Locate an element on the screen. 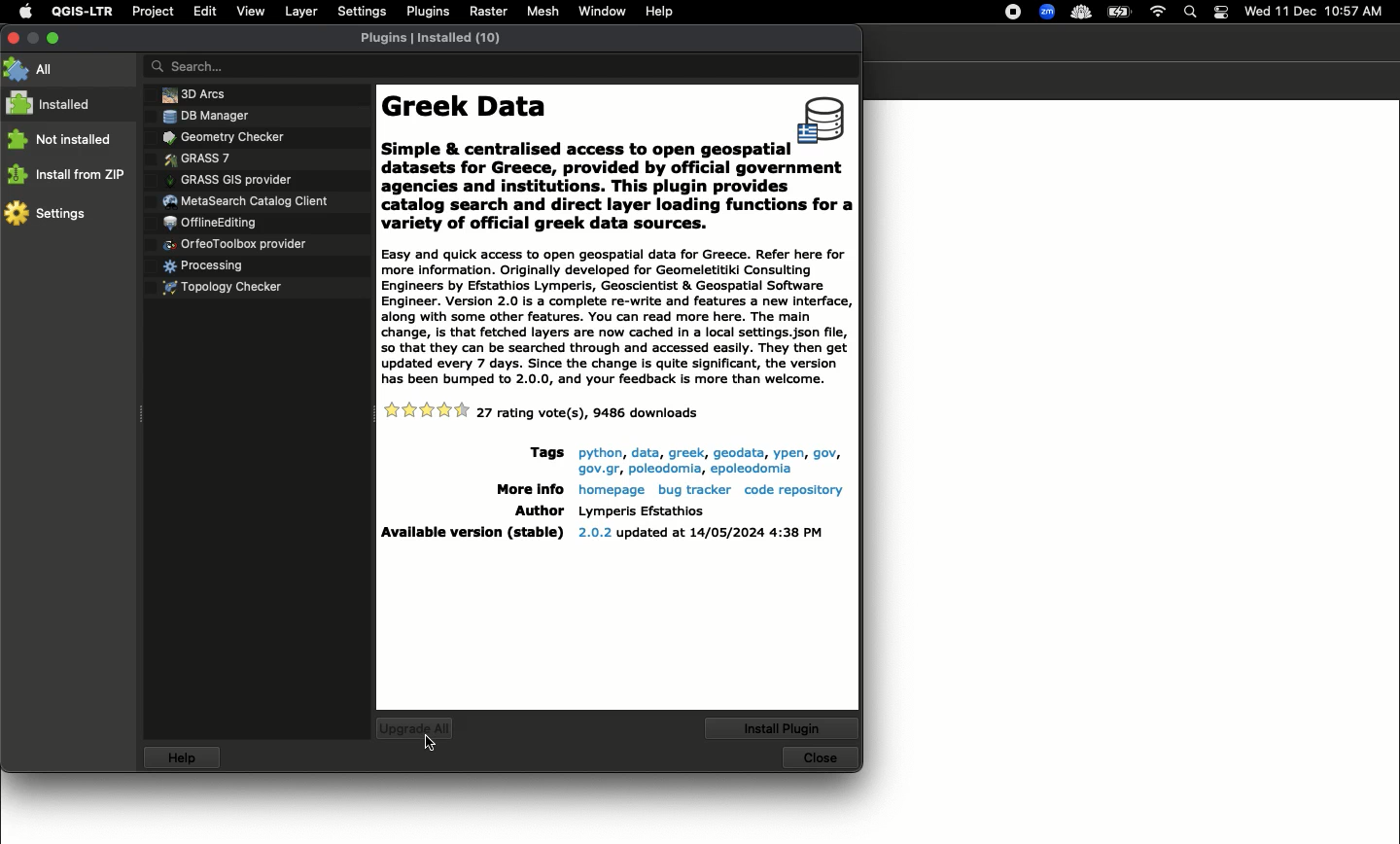  Metasearch catalog client  is located at coordinates (247, 202).